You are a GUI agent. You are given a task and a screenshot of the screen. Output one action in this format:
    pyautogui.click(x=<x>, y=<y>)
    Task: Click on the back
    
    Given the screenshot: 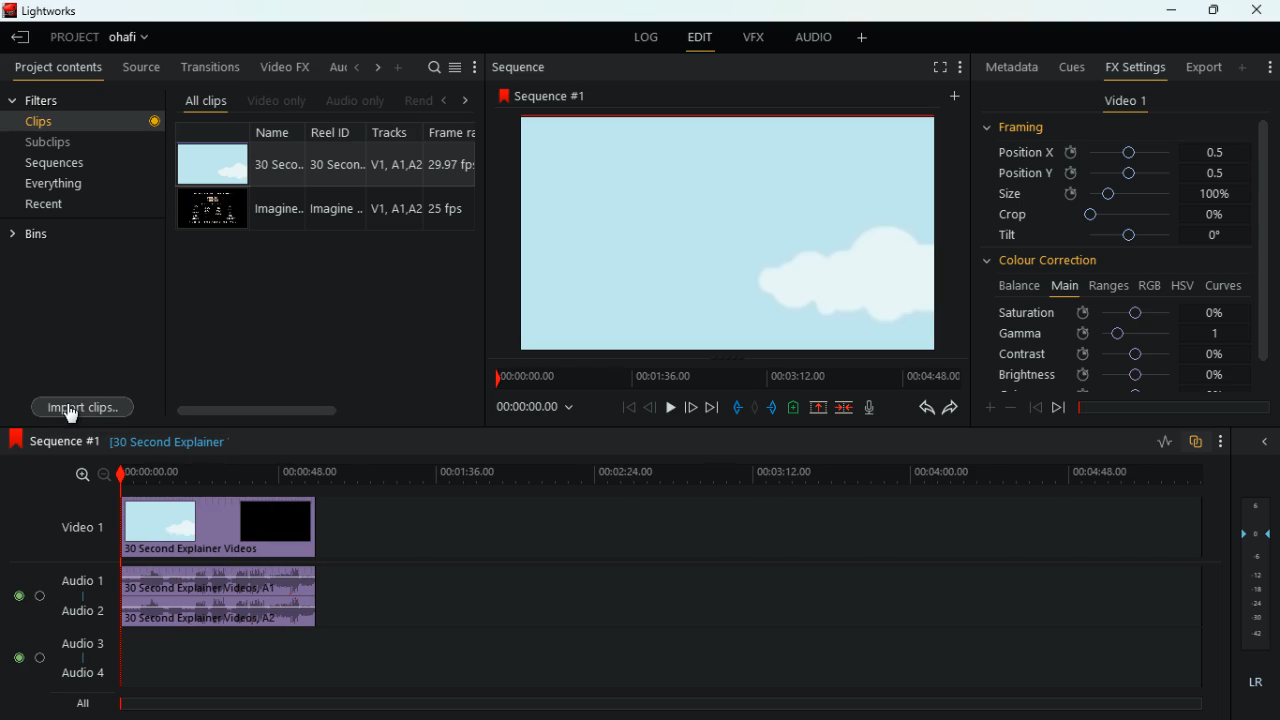 What is the action you would take?
    pyautogui.click(x=919, y=408)
    